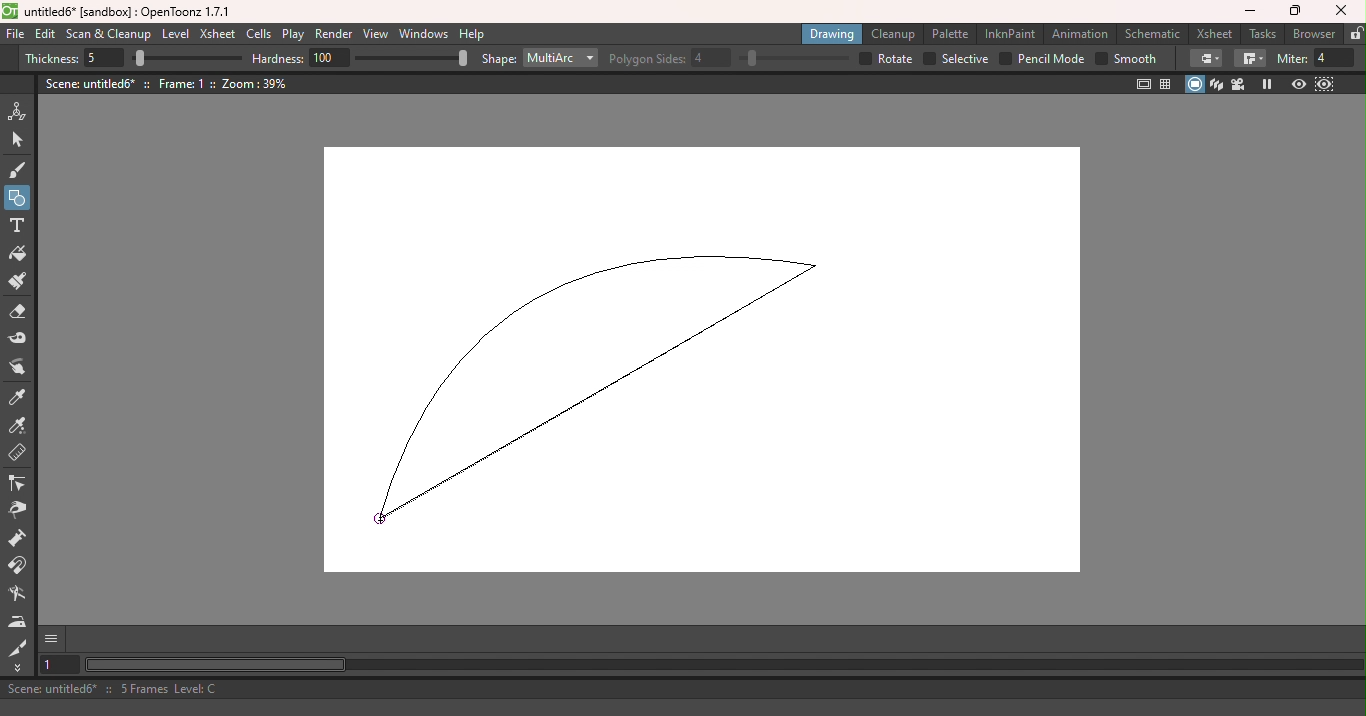 This screenshot has height=716, width=1366. Describe the element at coordinates (21, 485) in the screenshot. I see `Control point editor tool` at that location.